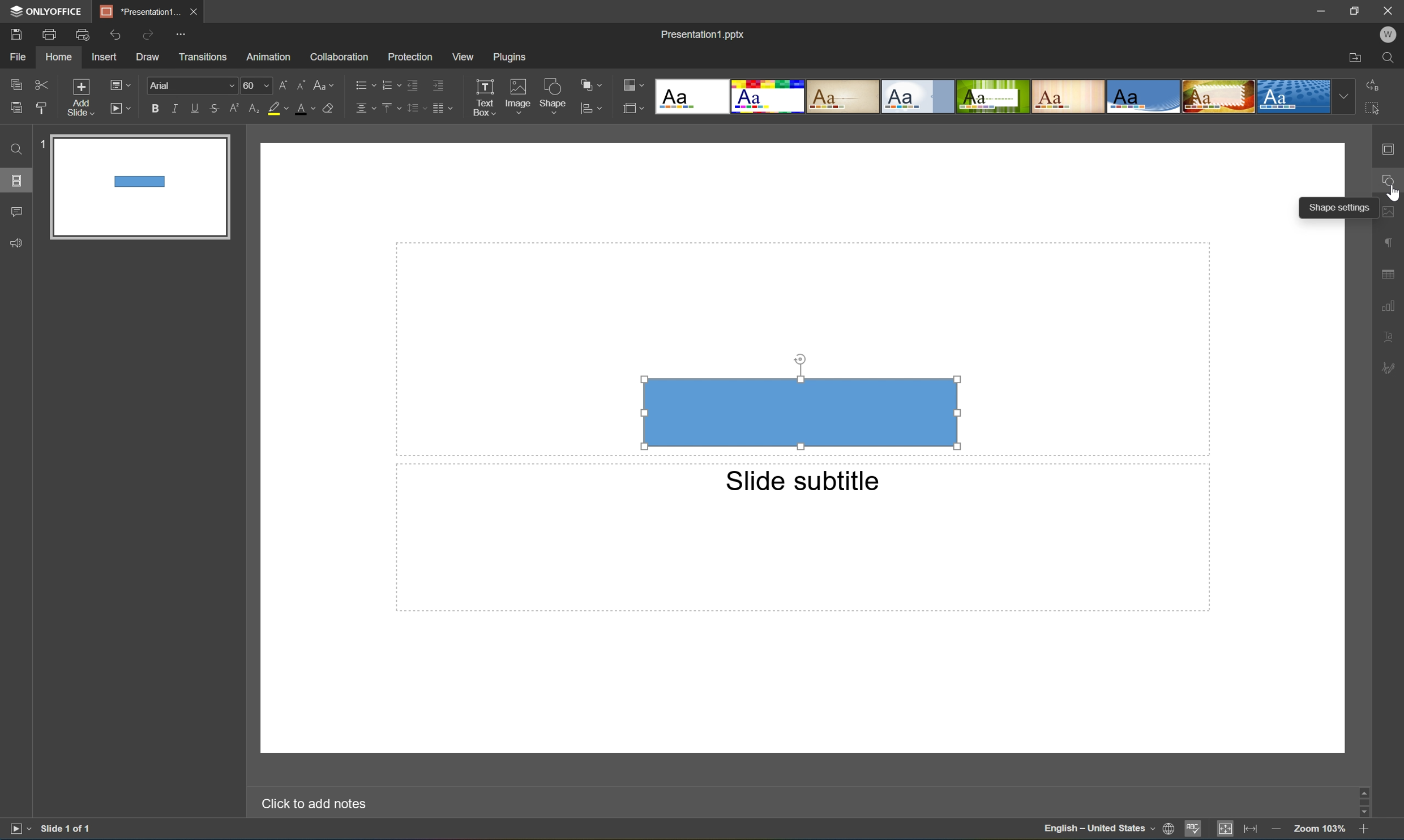 This screenshot has width=1404, height=840. Describe the element at coordinates (551, 97) in the screenshot. I see `Shape` at that location.